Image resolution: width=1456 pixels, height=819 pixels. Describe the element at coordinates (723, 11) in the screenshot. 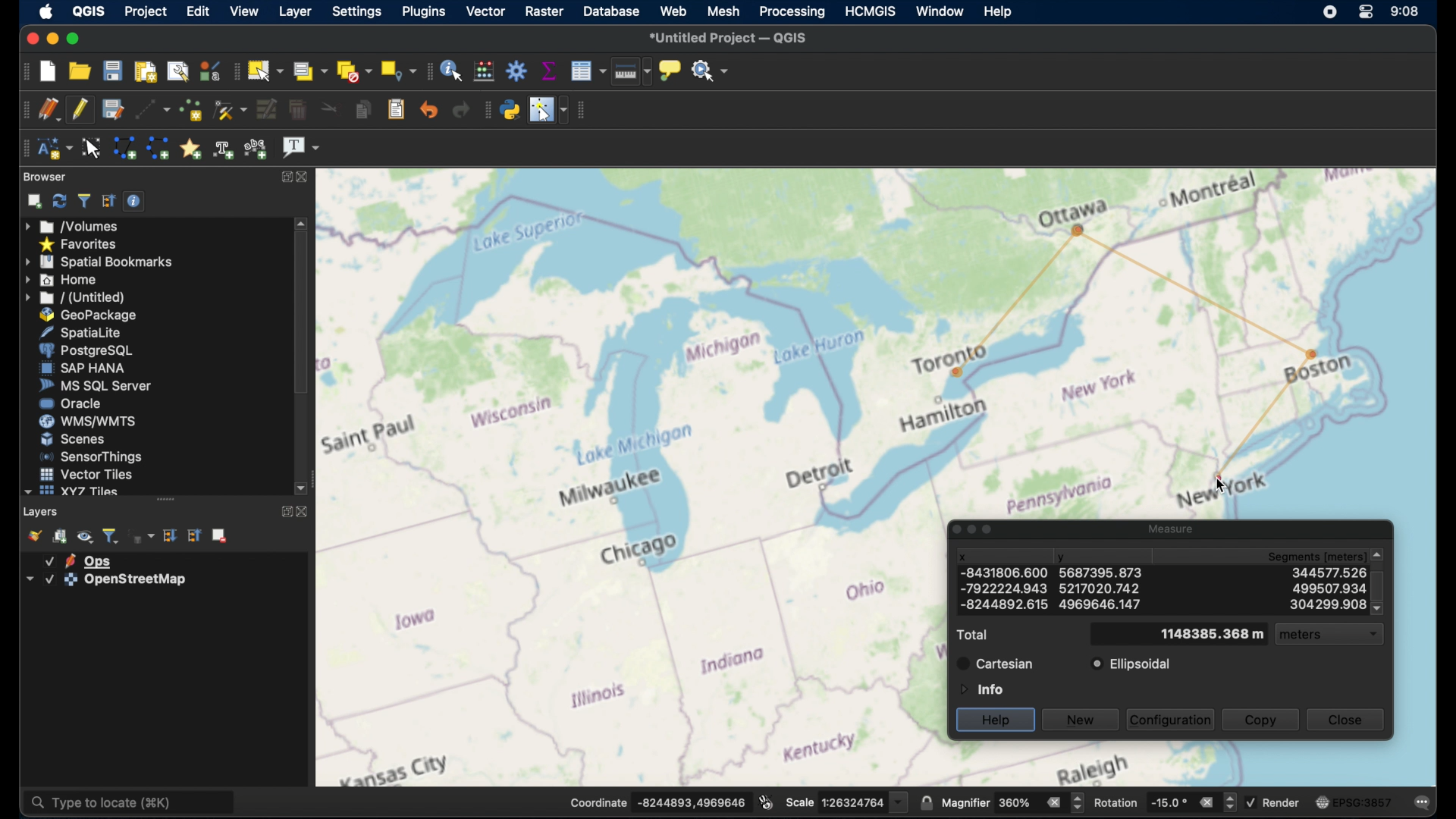

I see `mesh` at that location.